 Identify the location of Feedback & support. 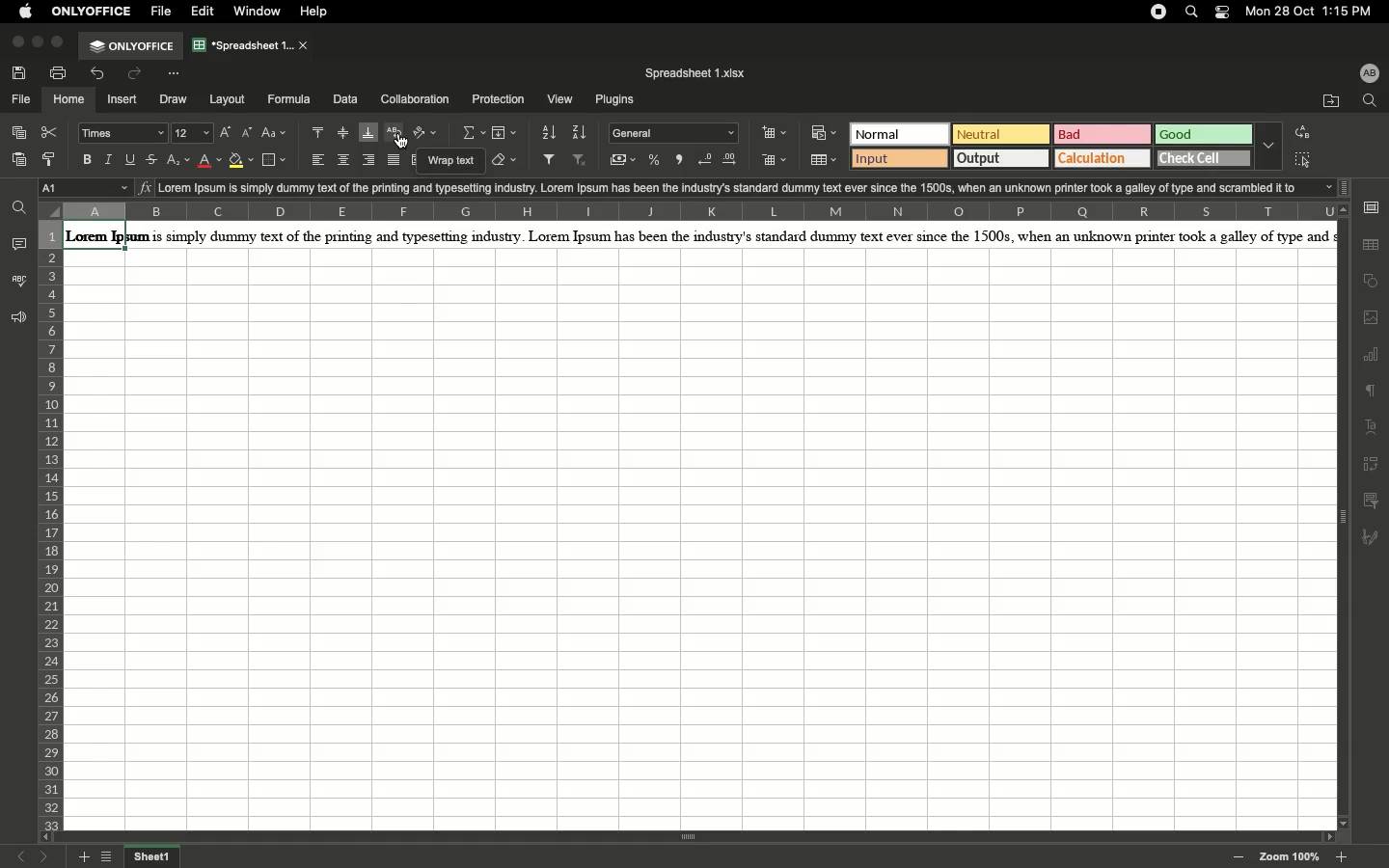
(15, 318).